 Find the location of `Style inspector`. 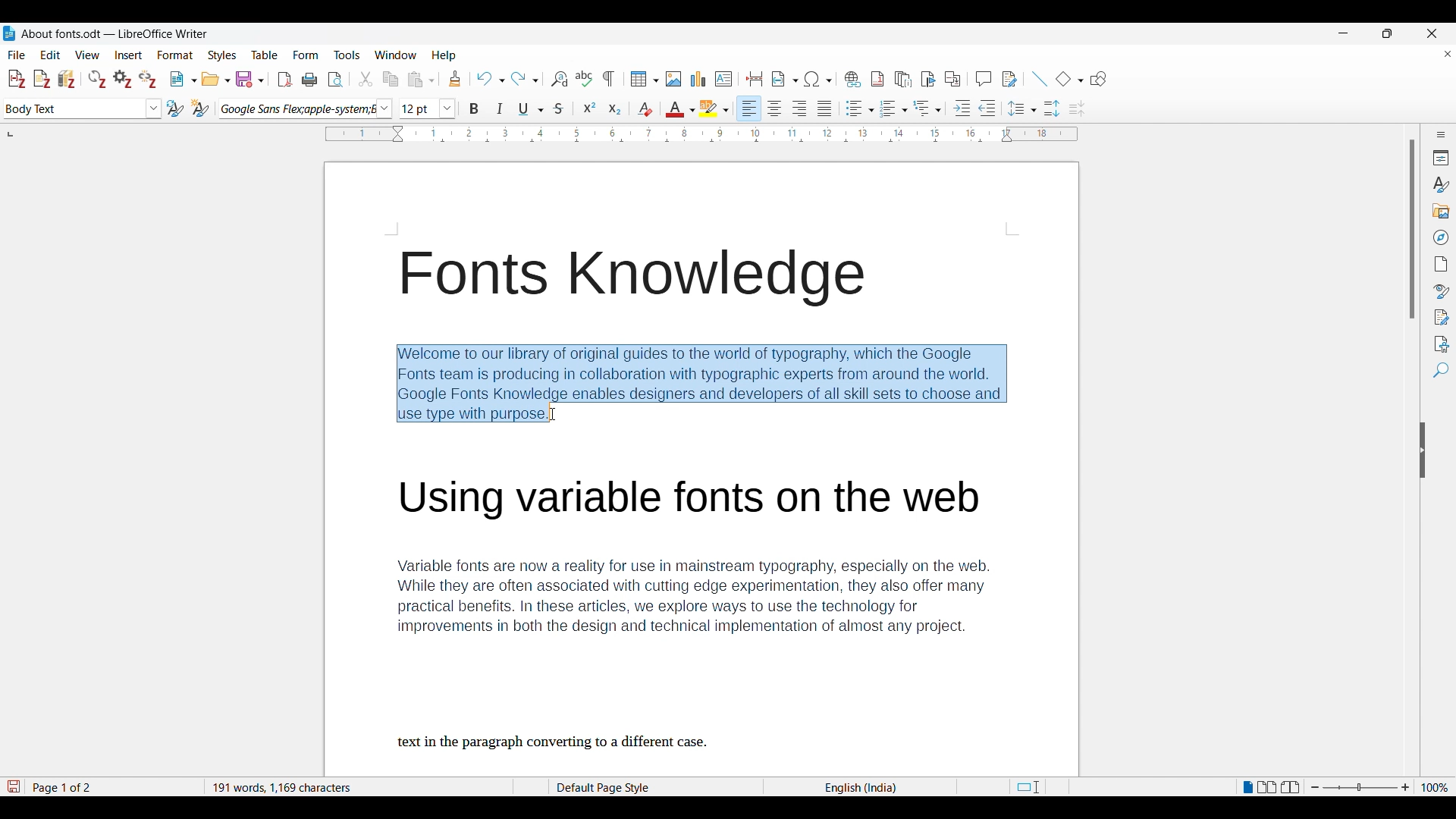

Style inspector is located at coordinates (1441, 291).